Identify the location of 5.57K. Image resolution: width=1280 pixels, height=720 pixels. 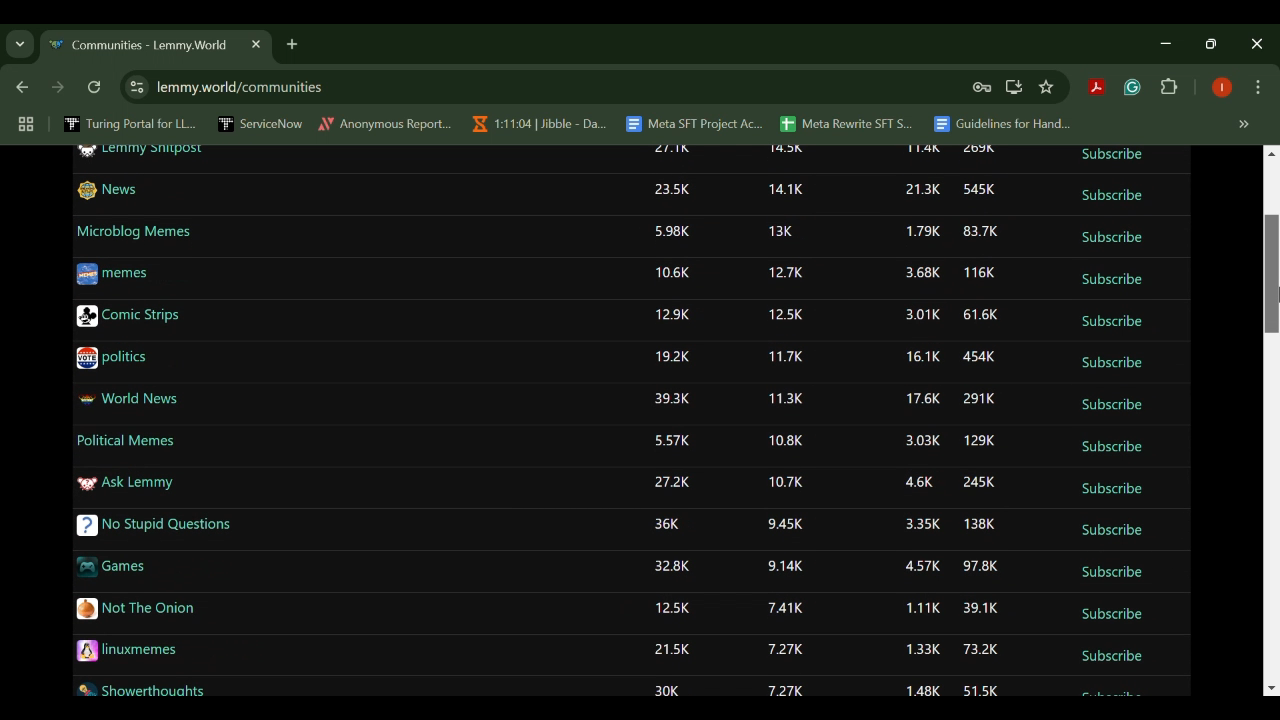
(673, 441).